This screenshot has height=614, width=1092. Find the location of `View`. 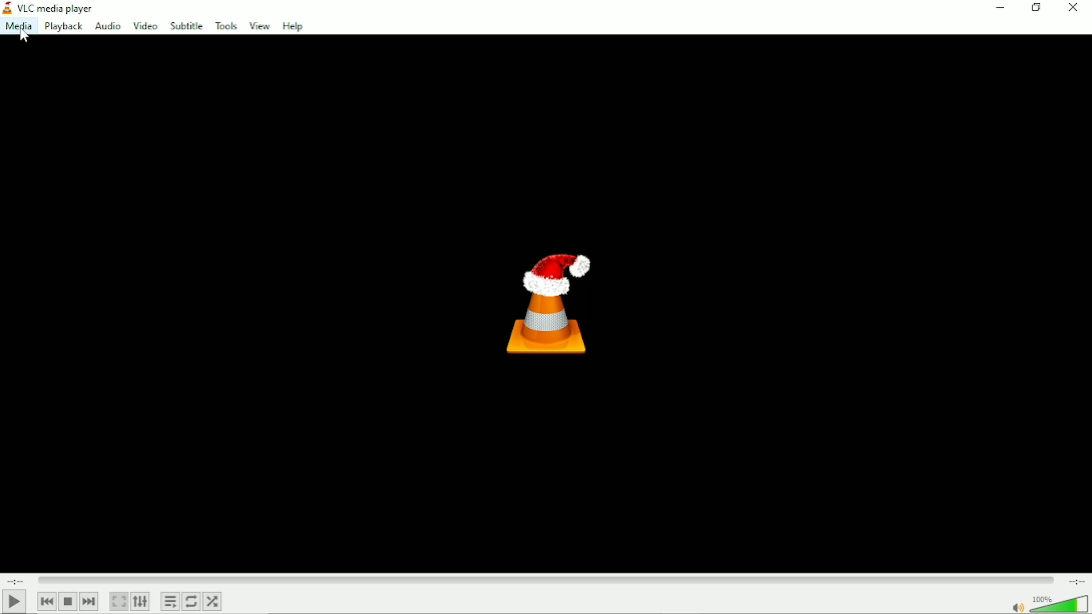

View is located at coordinates (259, 26).